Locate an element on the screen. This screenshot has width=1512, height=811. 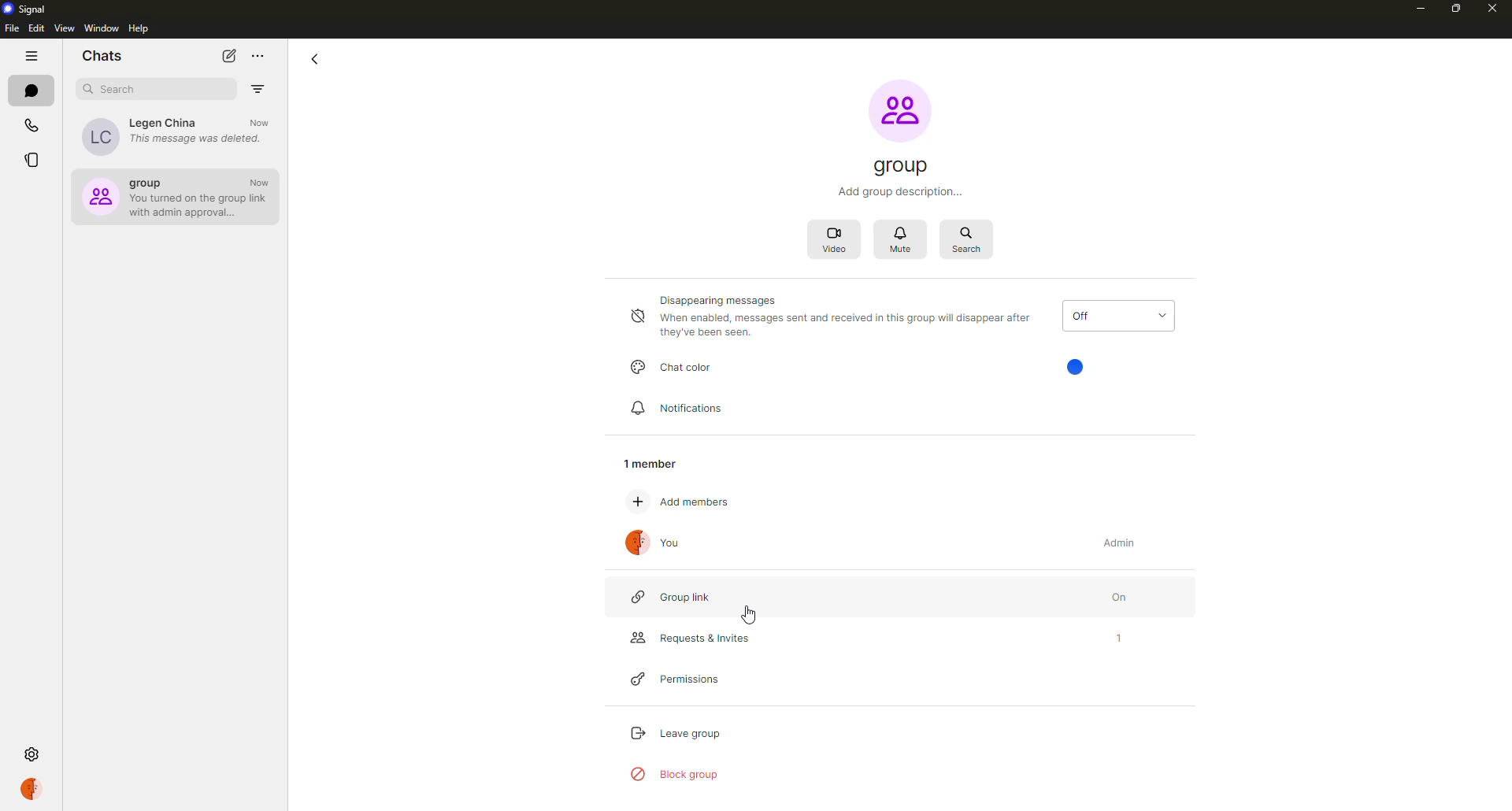
block group is located at coordinates (676, 776).